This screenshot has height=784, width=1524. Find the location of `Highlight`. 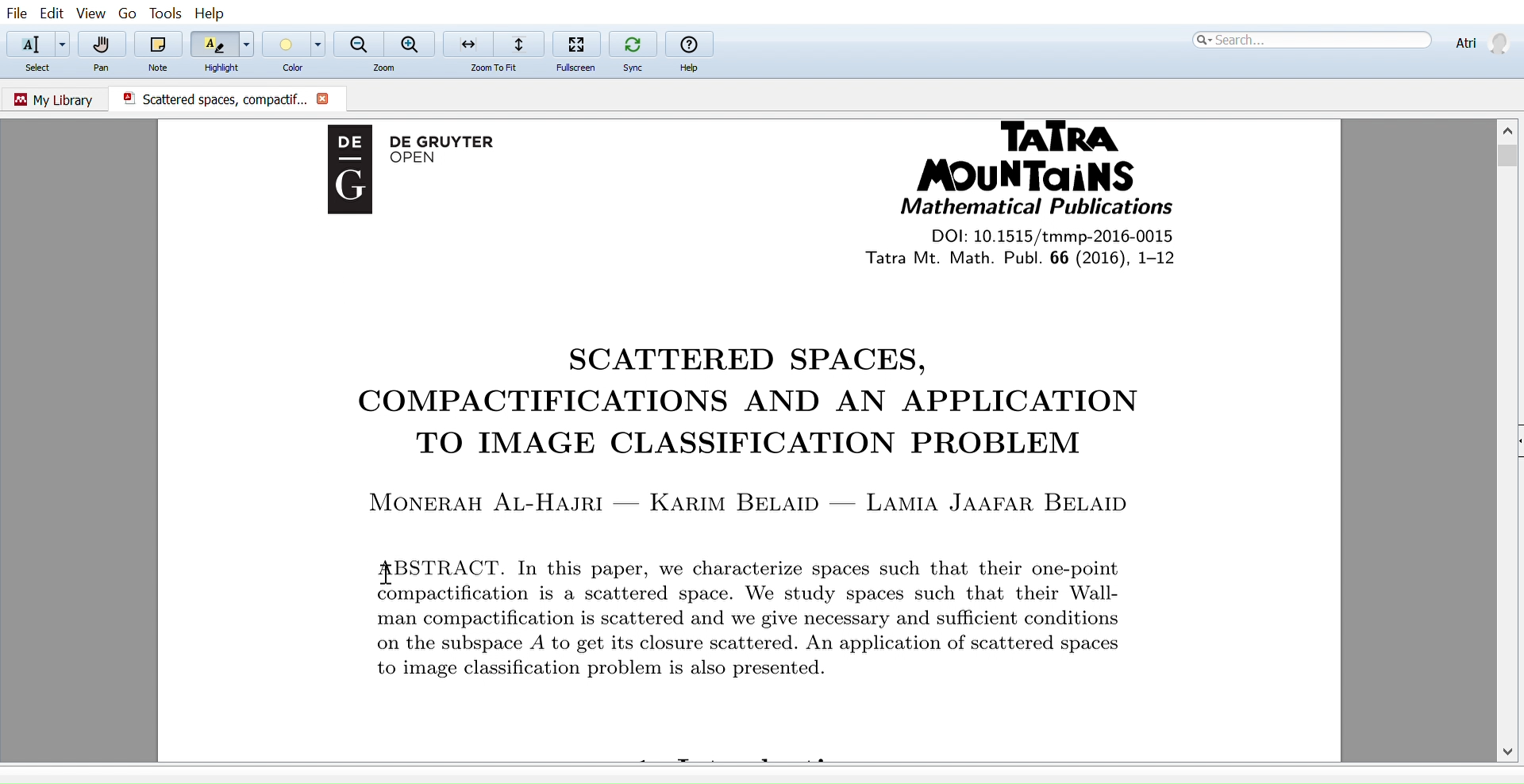

Highlight is located at coordinates (222, 67).